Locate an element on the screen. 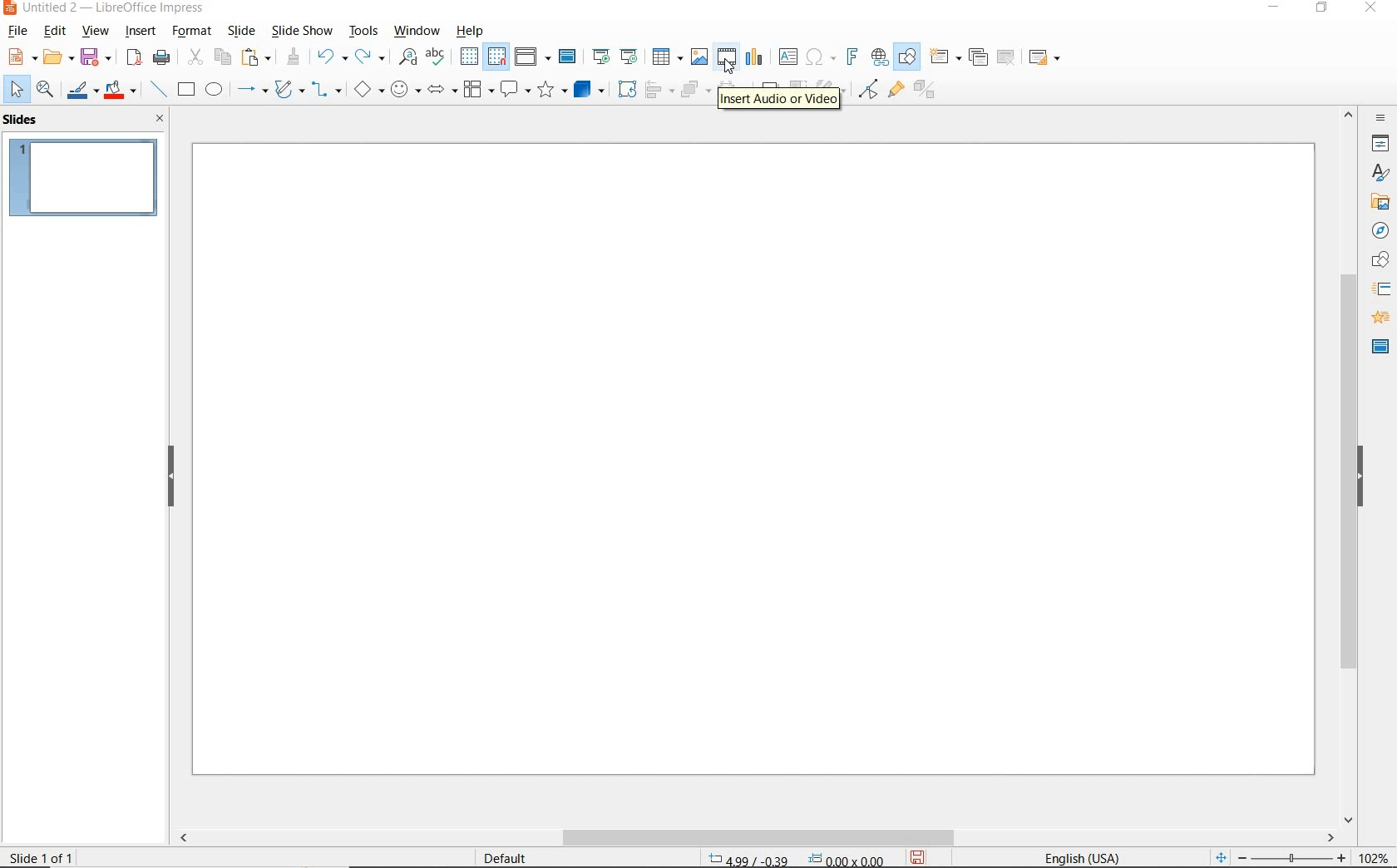  TOOLS is located at coordinates (364, 33).